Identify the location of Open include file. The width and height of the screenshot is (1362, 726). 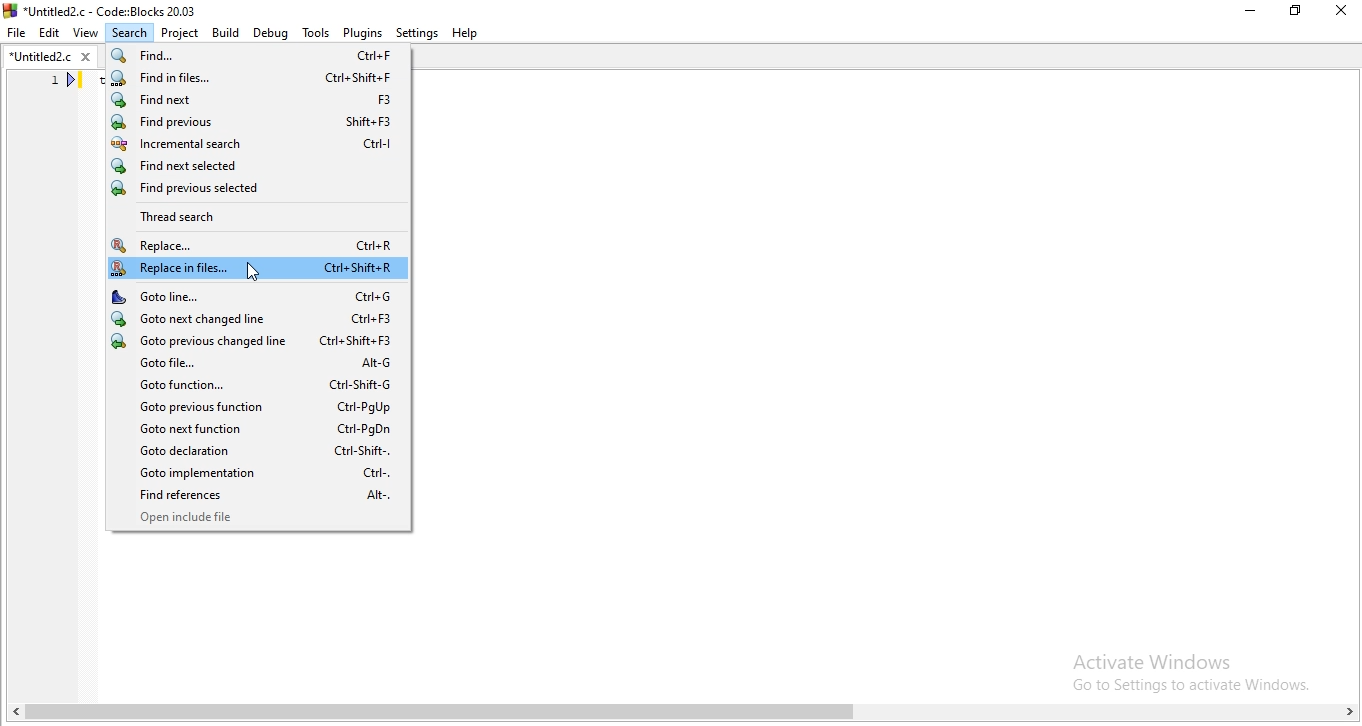
(261, 518).